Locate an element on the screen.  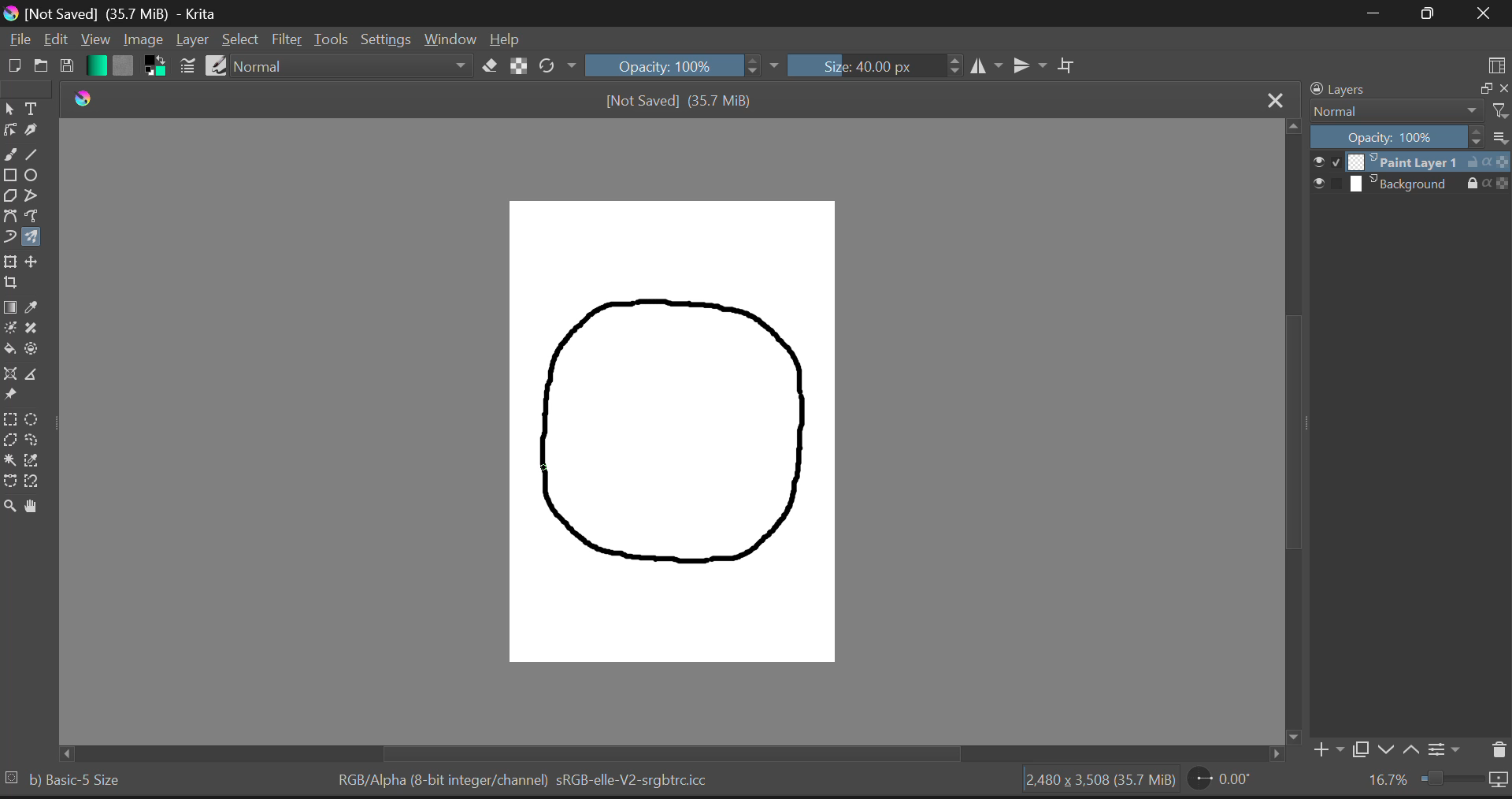
Vertical Mirror Flip is located at coordinates (988, 66).